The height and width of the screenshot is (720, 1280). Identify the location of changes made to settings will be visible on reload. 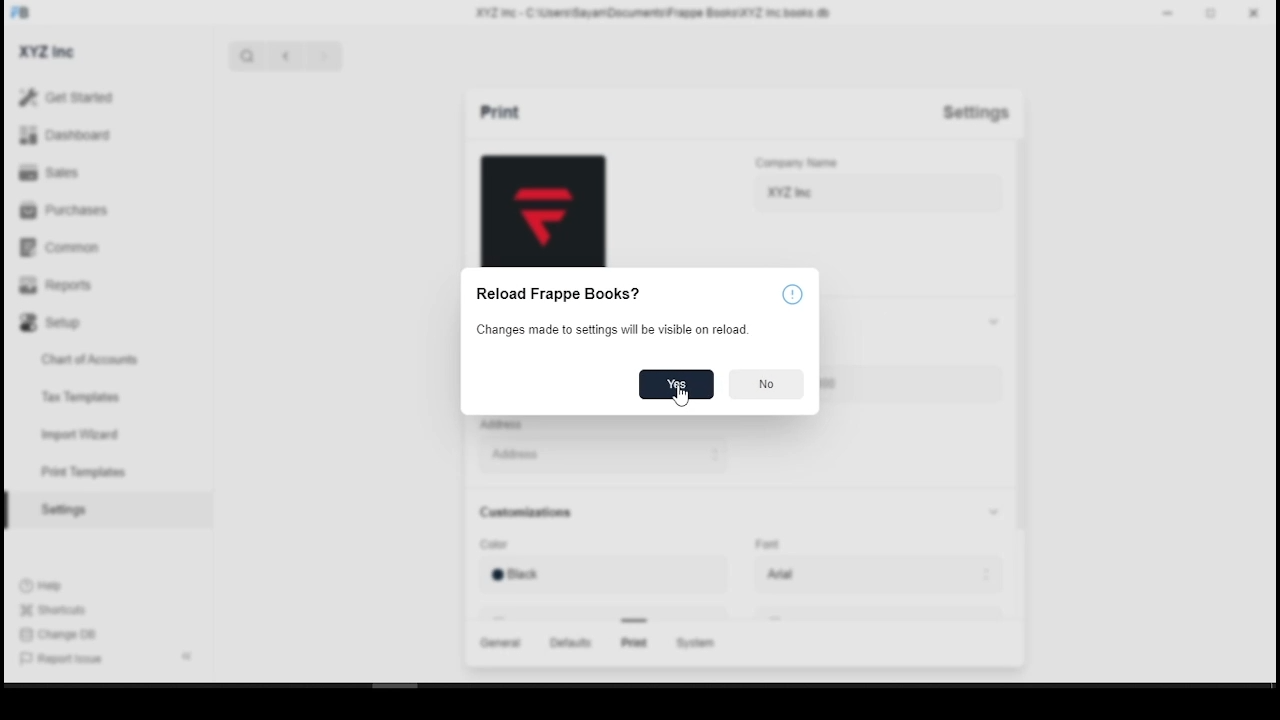
(608, 330).